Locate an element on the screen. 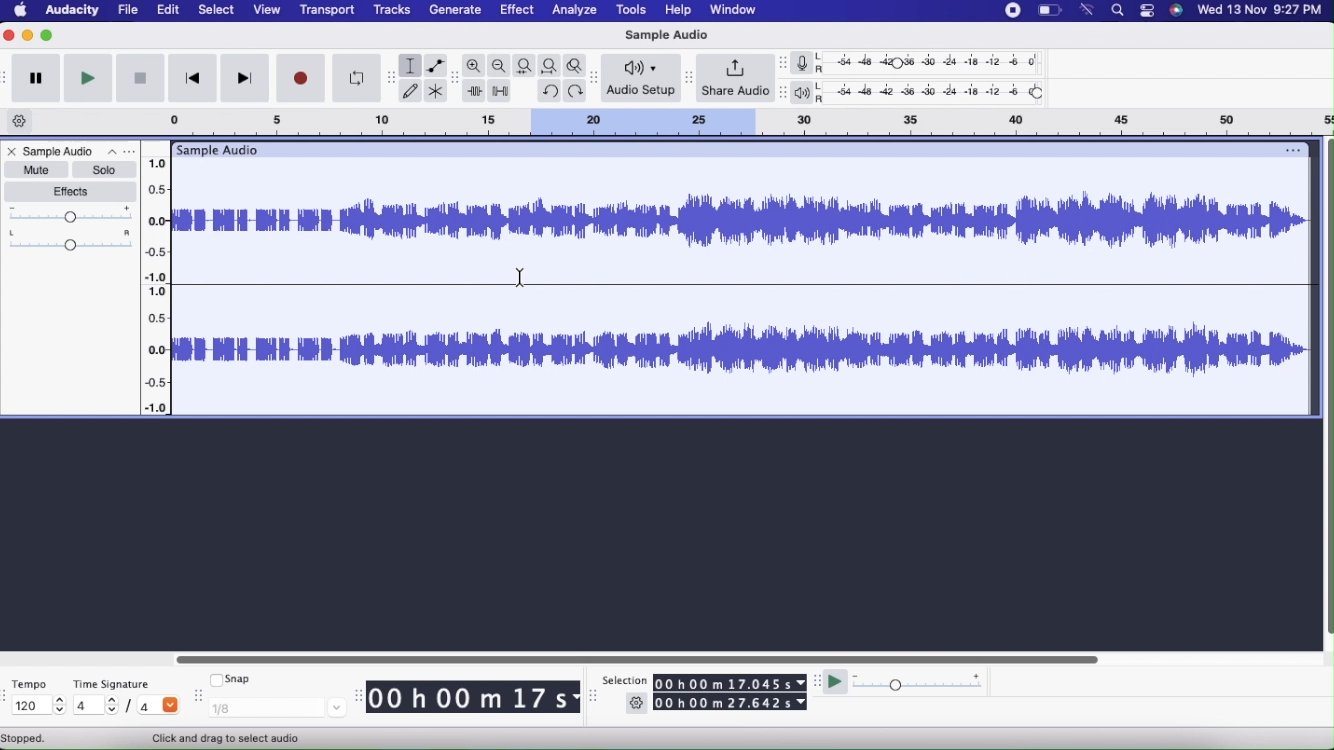 The height and width of the screenshot is (750, 1334). 00 h 00 m 17.045 s is located at coordinates (730, 683).